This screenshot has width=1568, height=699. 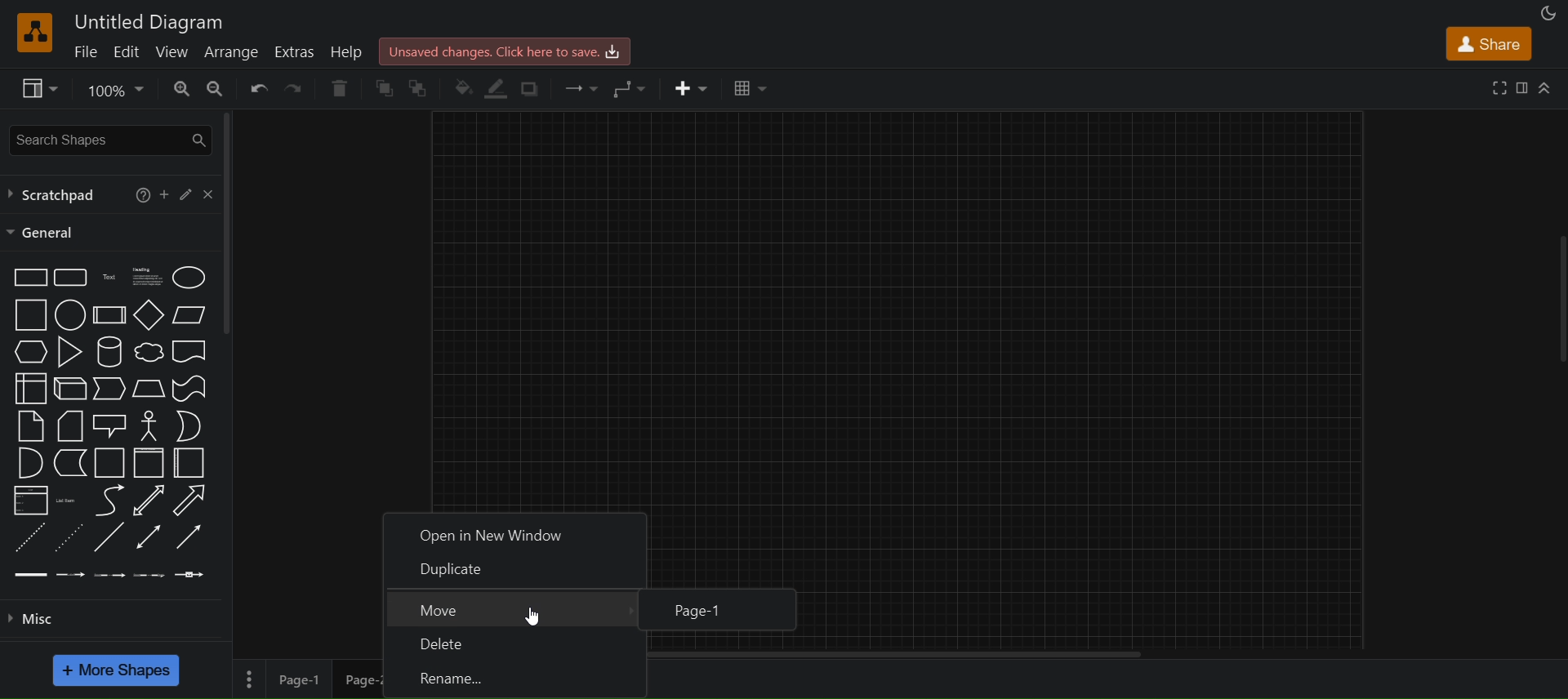 What do you see at coordinates (118, 670) in the screenshot?
I see `more shapes` at bounding box center [118, 670].